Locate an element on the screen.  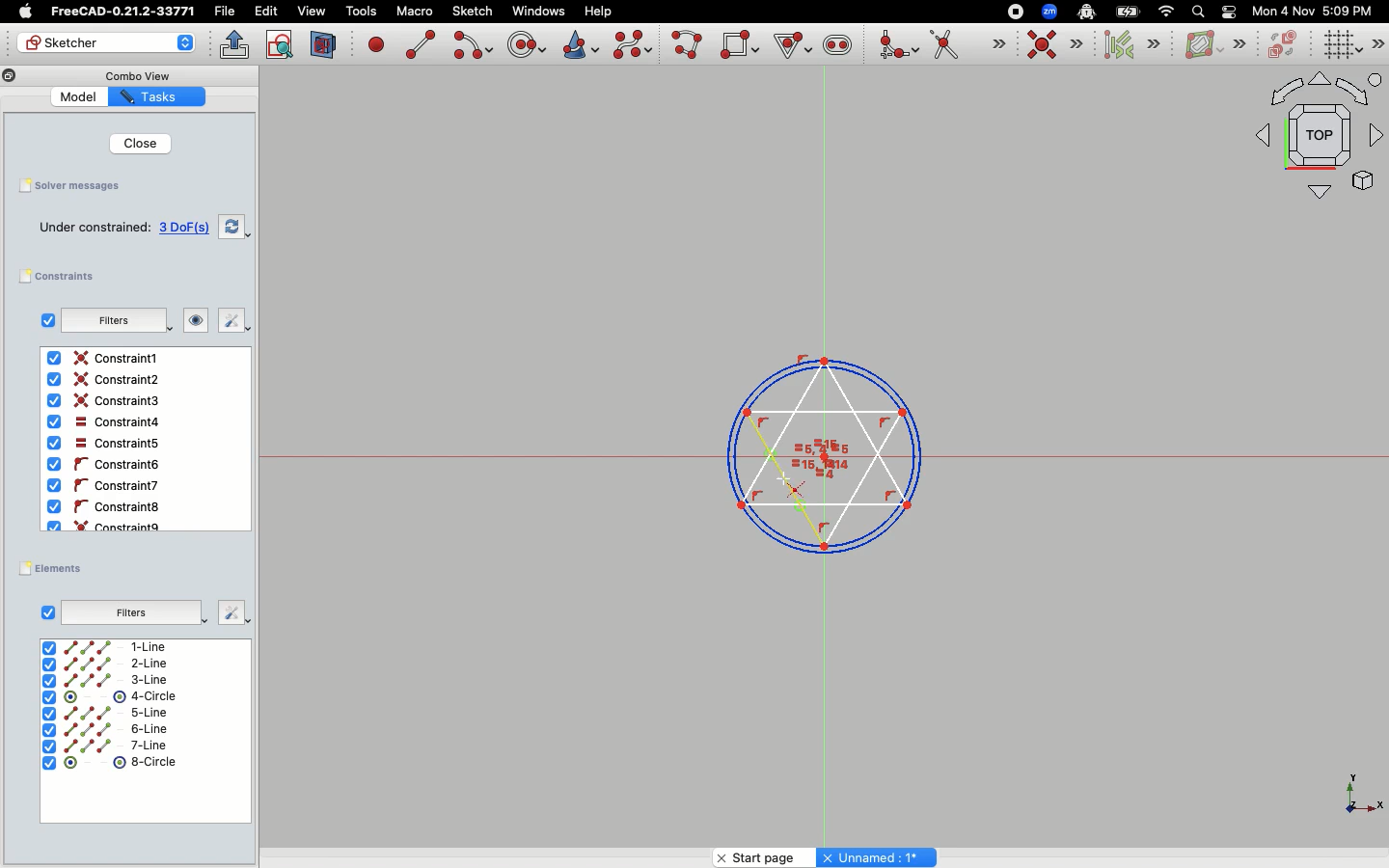
Create rectangle is located at coordinates (740, 44).